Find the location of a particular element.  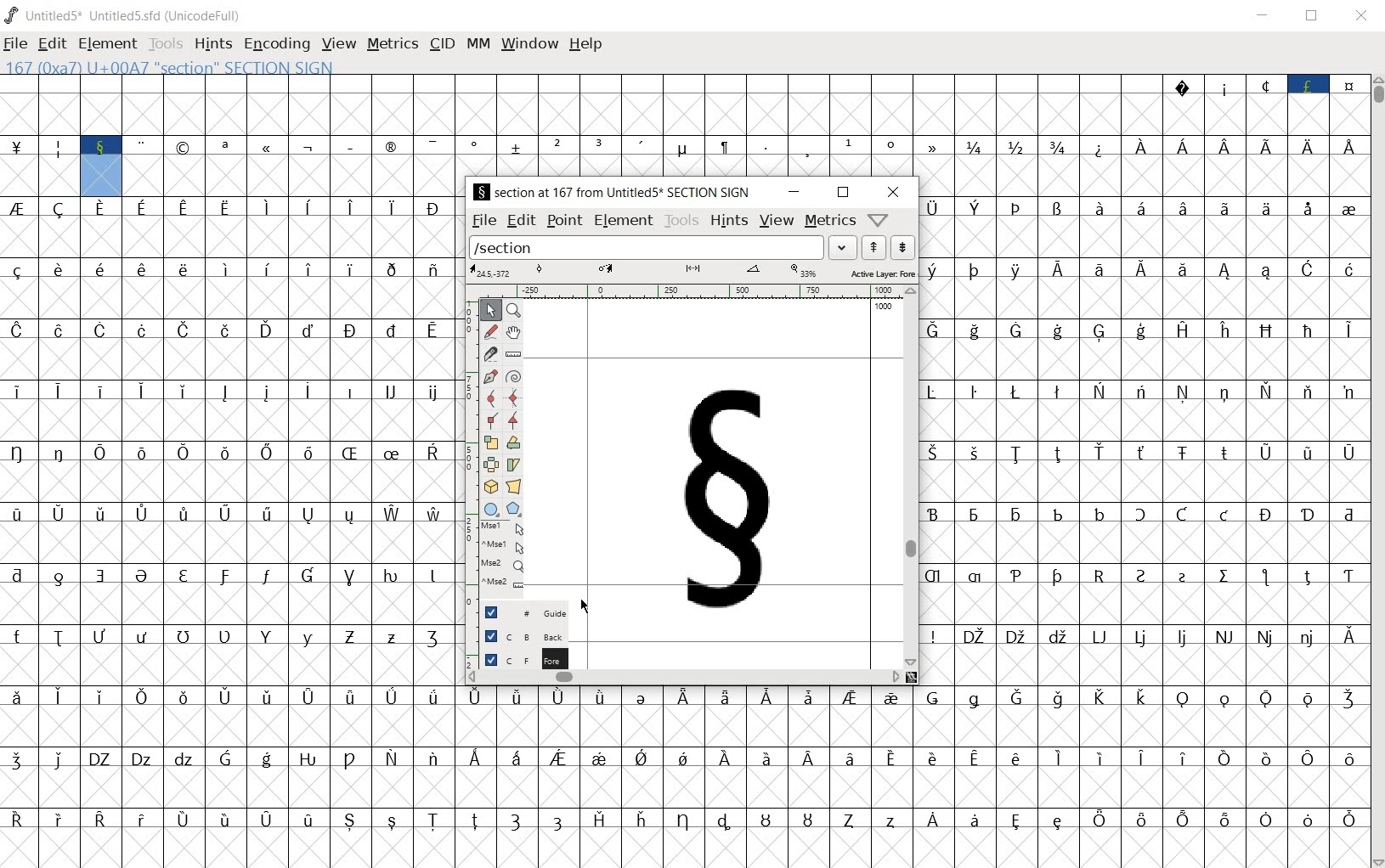

Untitled1 Untitled1.sfd (UnicodeFull) is located at coordinates (122, 15).